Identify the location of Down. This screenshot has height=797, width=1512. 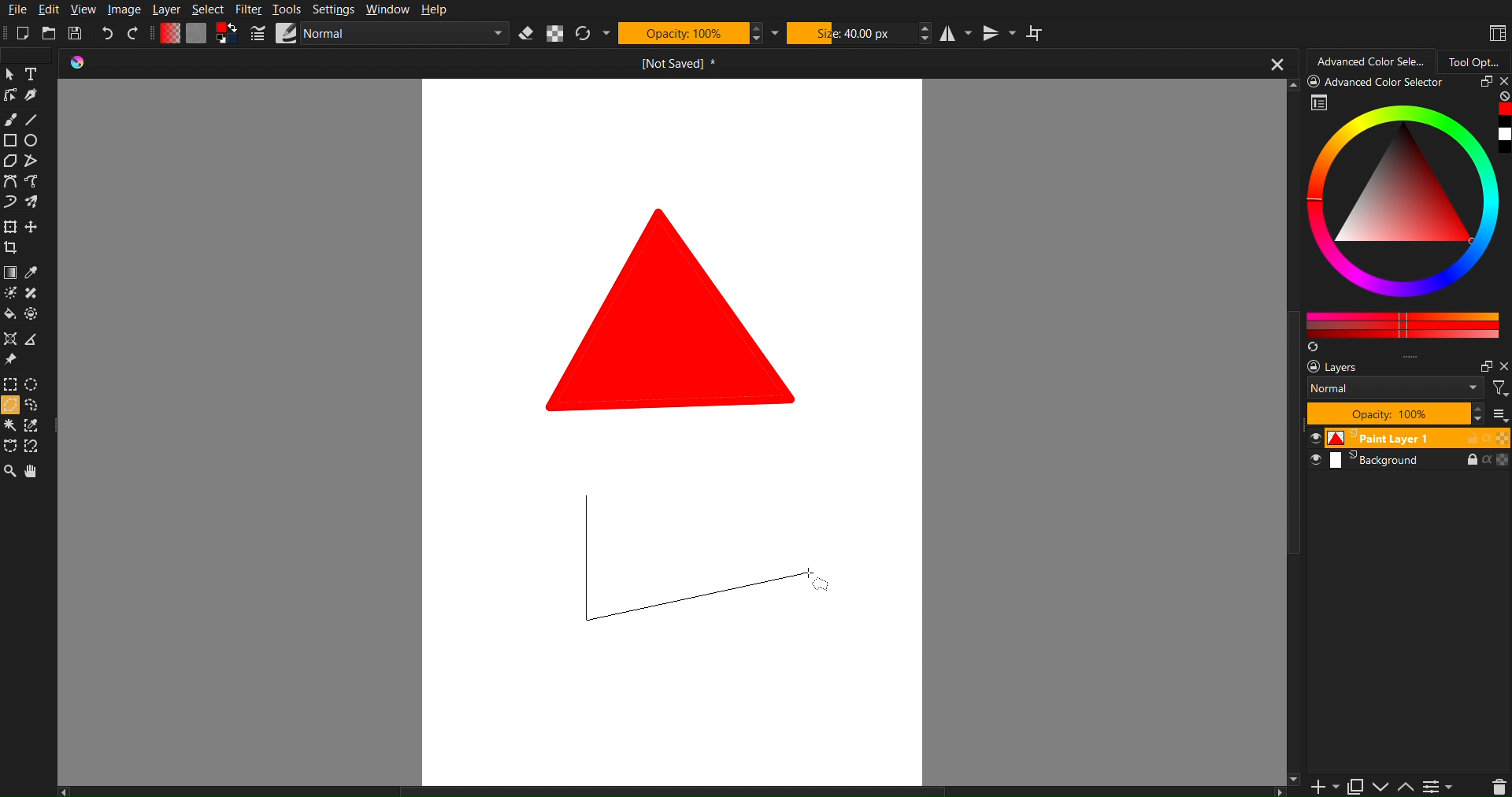
(1381, 787).